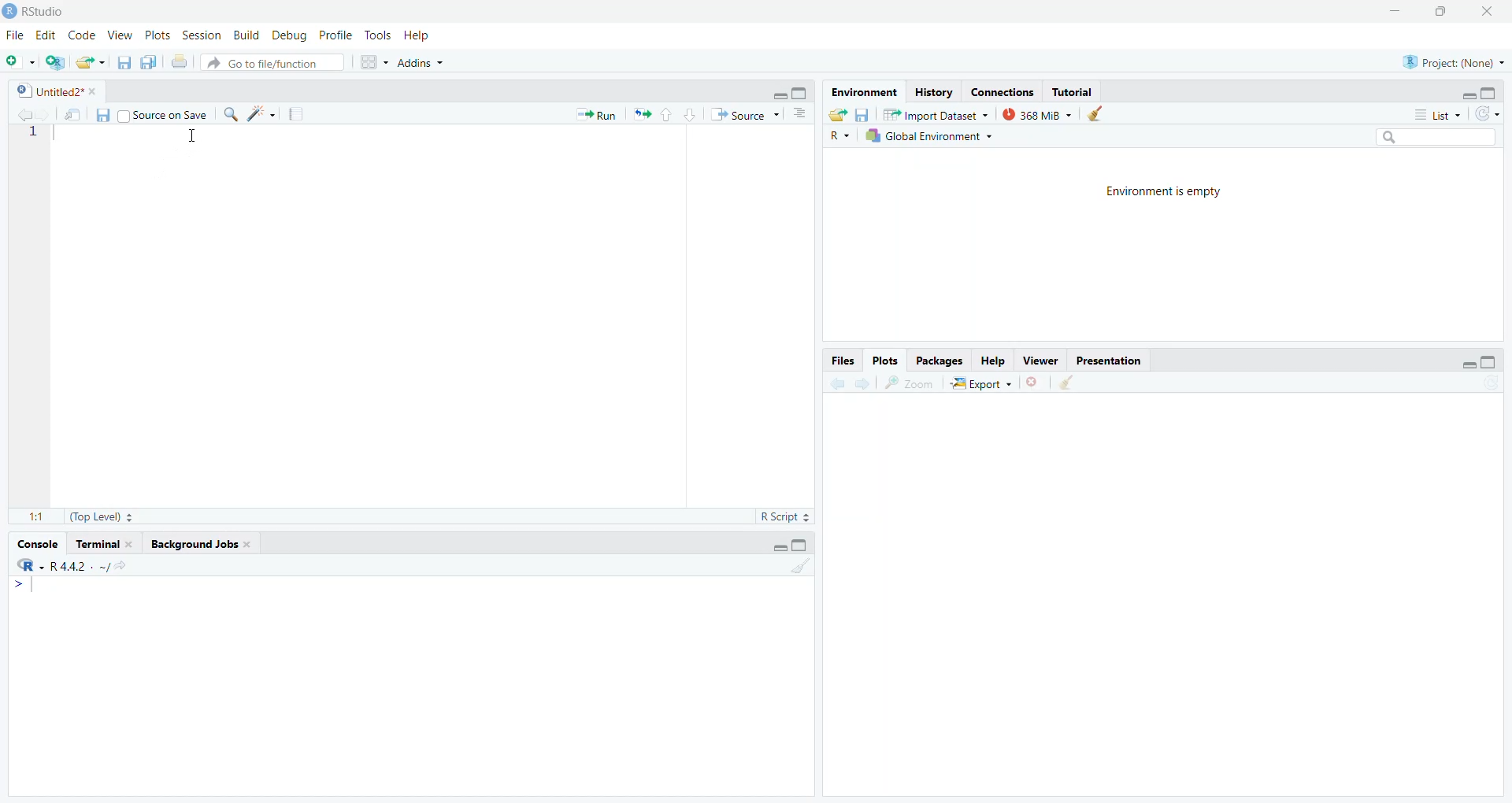 This screenshot has height=803, width=1512. What do you see at coordinates (80, 514) in the screenshot?
I see `11 (Top Level) =` at bounding box center [80, 514].